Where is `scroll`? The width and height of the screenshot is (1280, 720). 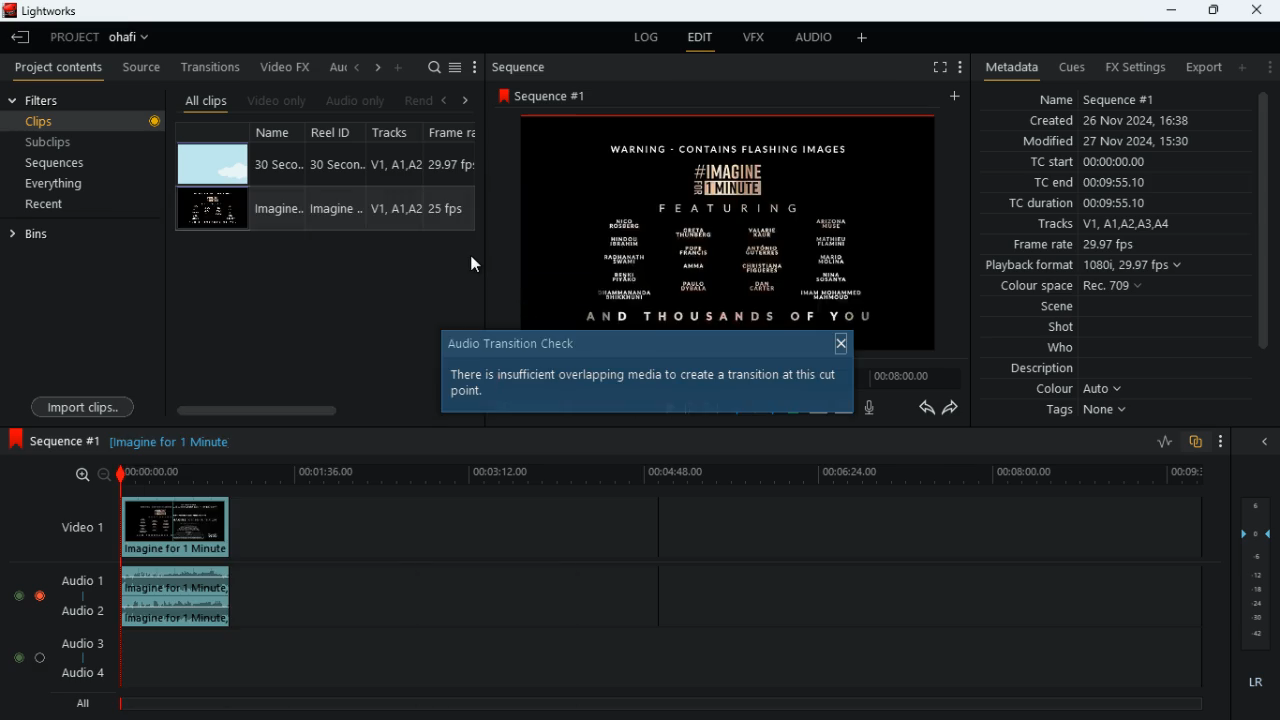
scroll is located at coordinates (1262, 231).